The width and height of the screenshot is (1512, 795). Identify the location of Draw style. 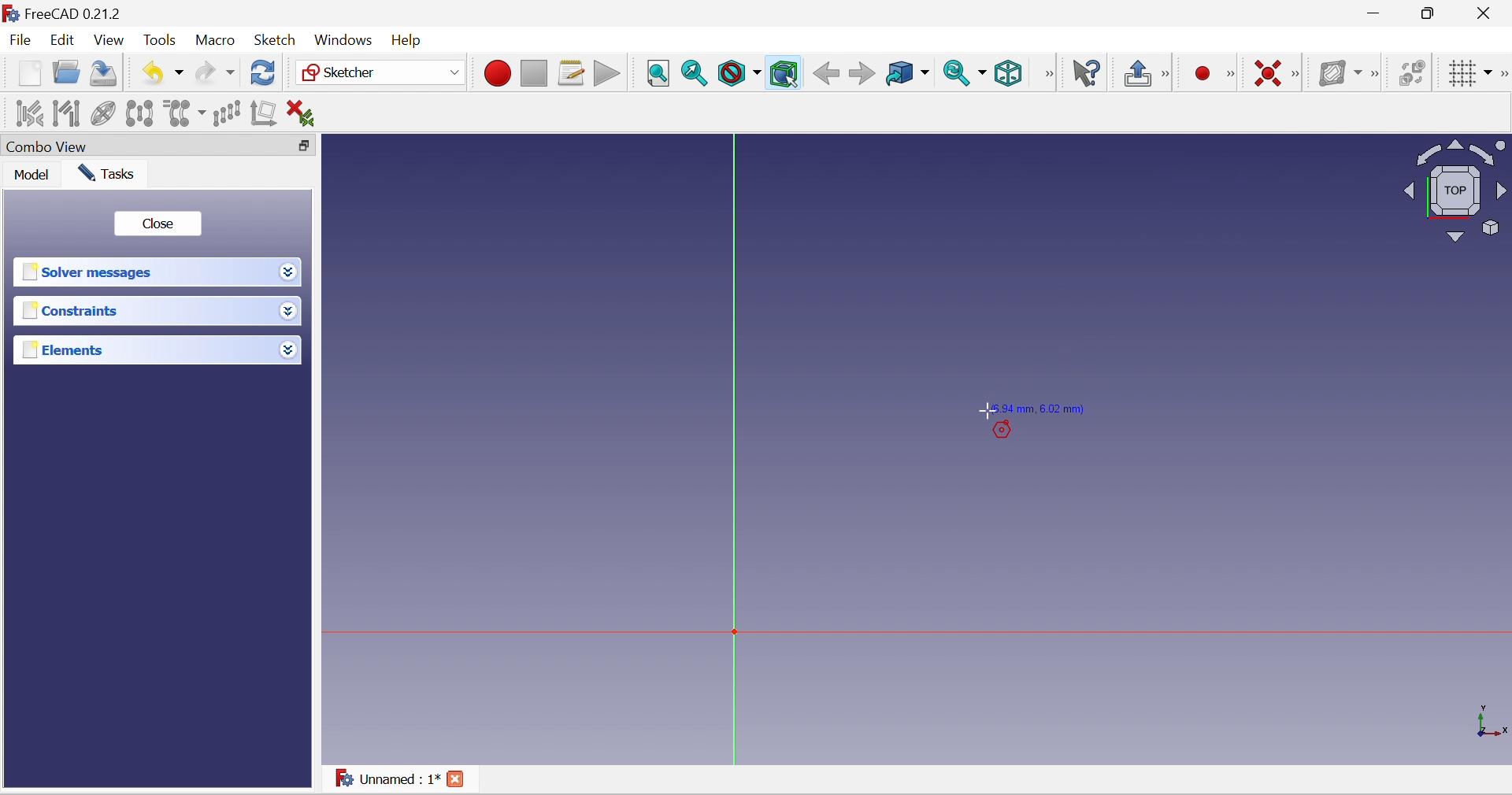
(738, 74).